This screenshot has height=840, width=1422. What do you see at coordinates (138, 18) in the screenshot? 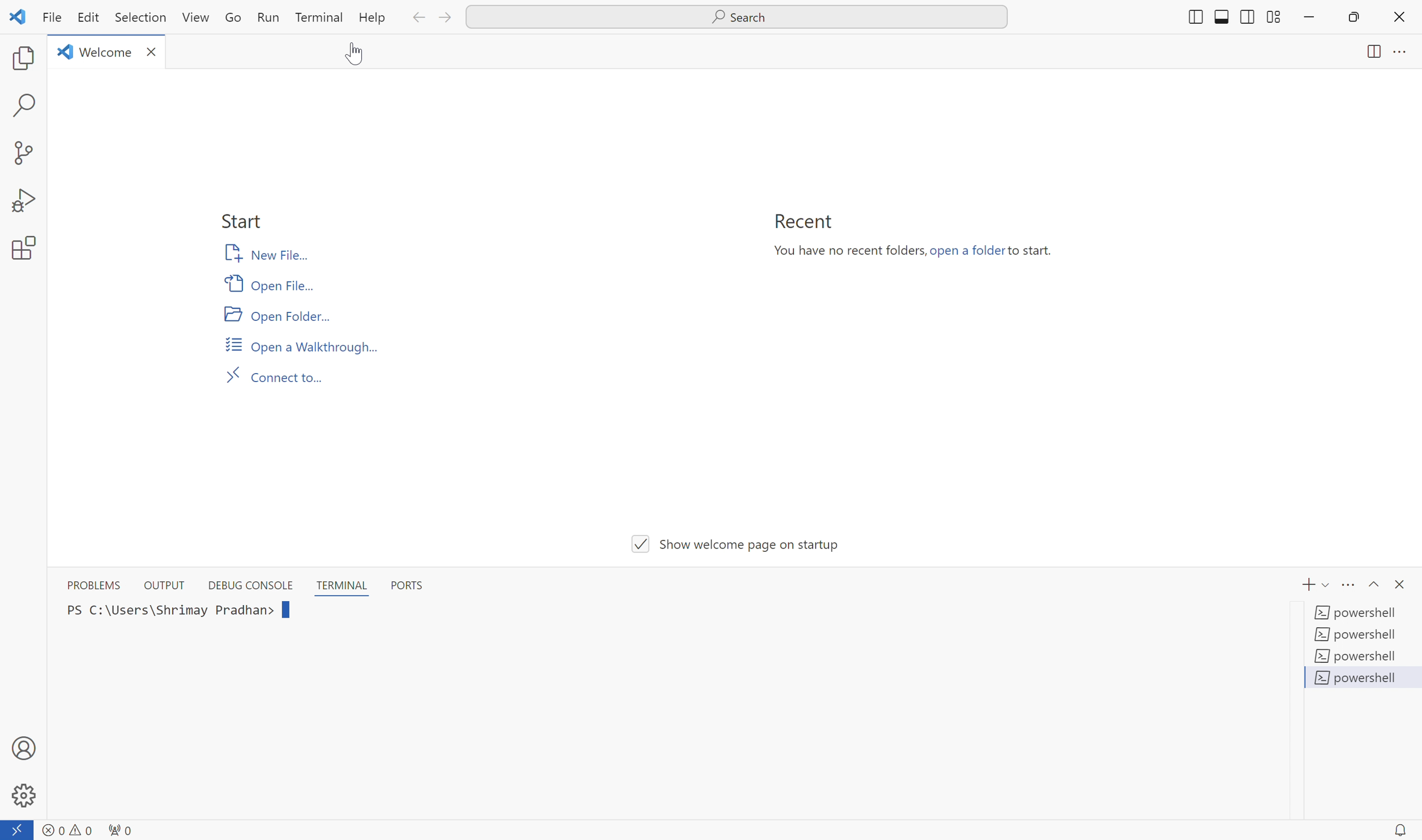
I see `Selection` at bounding box center [138, 18].